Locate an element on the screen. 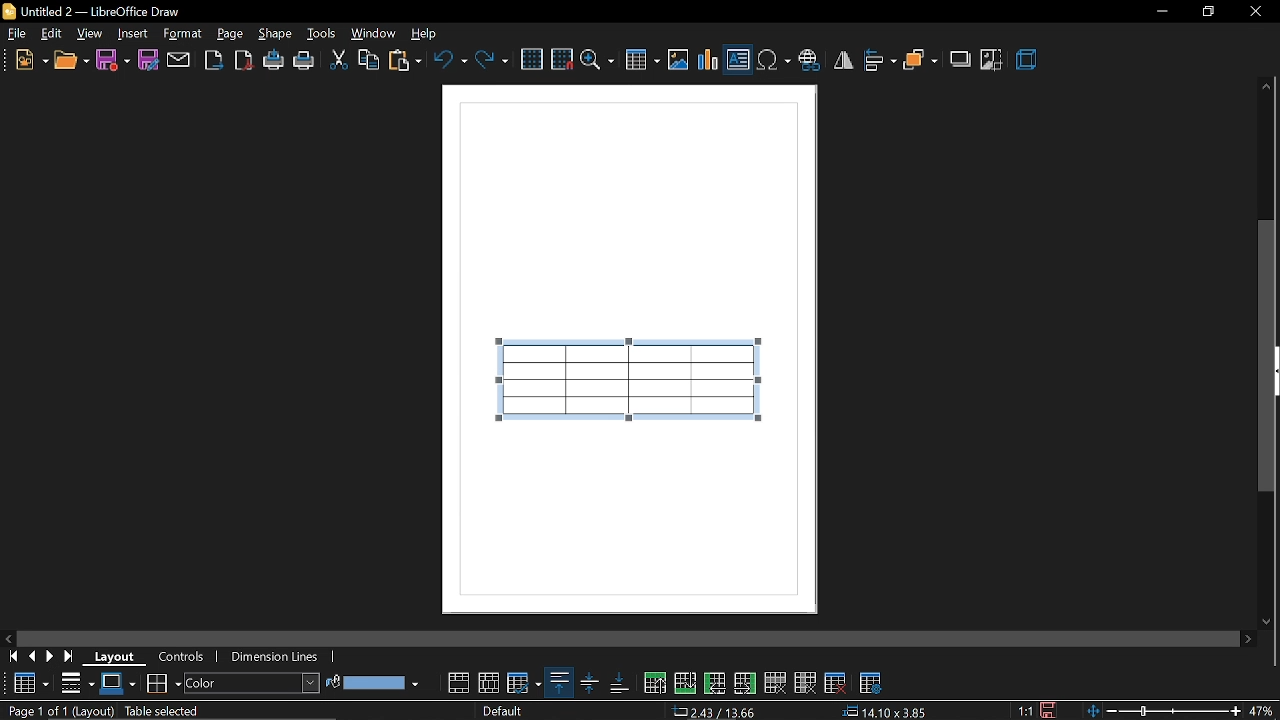  insert column after is located at coordinates (747, 681).